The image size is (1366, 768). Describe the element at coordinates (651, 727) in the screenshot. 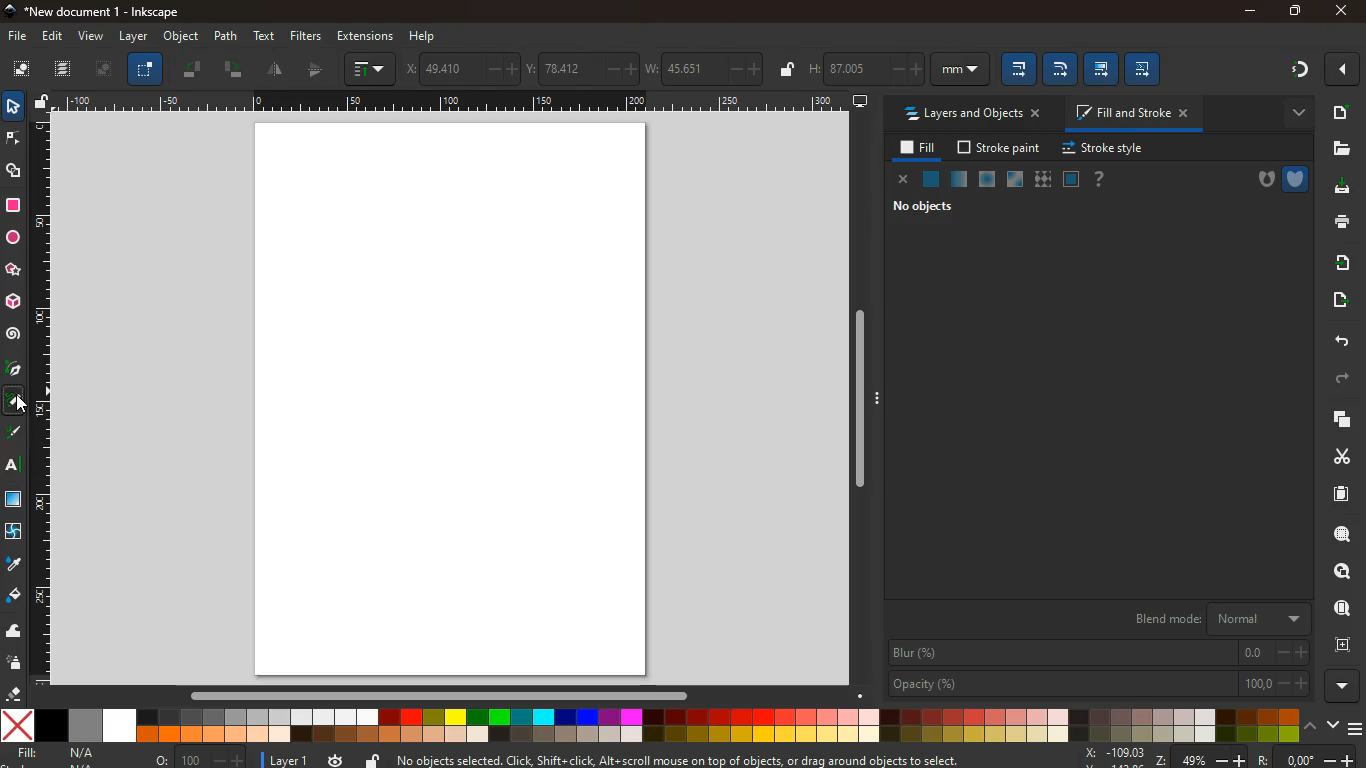

I see `color` at that location.